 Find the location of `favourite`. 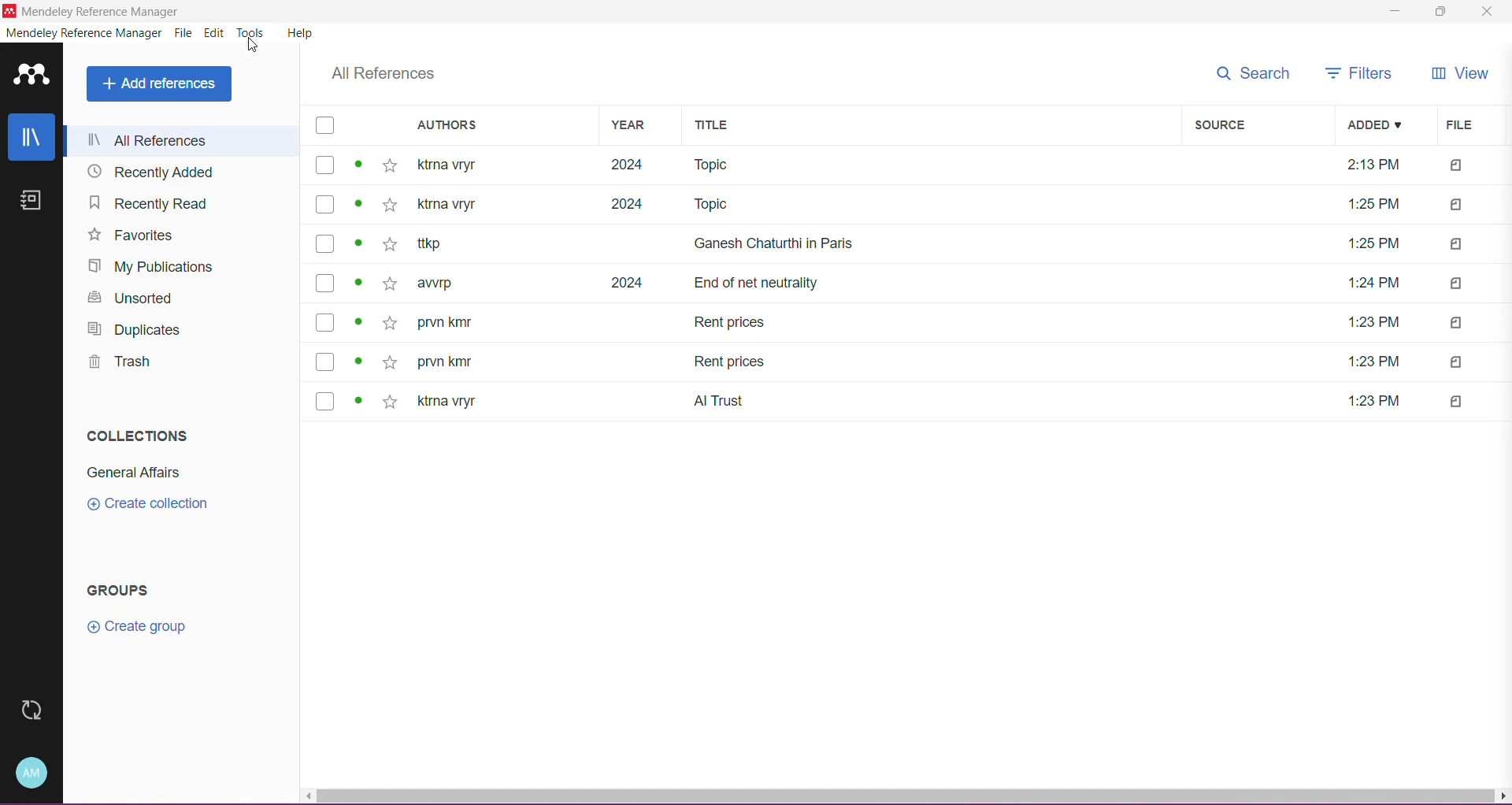

favourite is located at coordinates (391, 327).